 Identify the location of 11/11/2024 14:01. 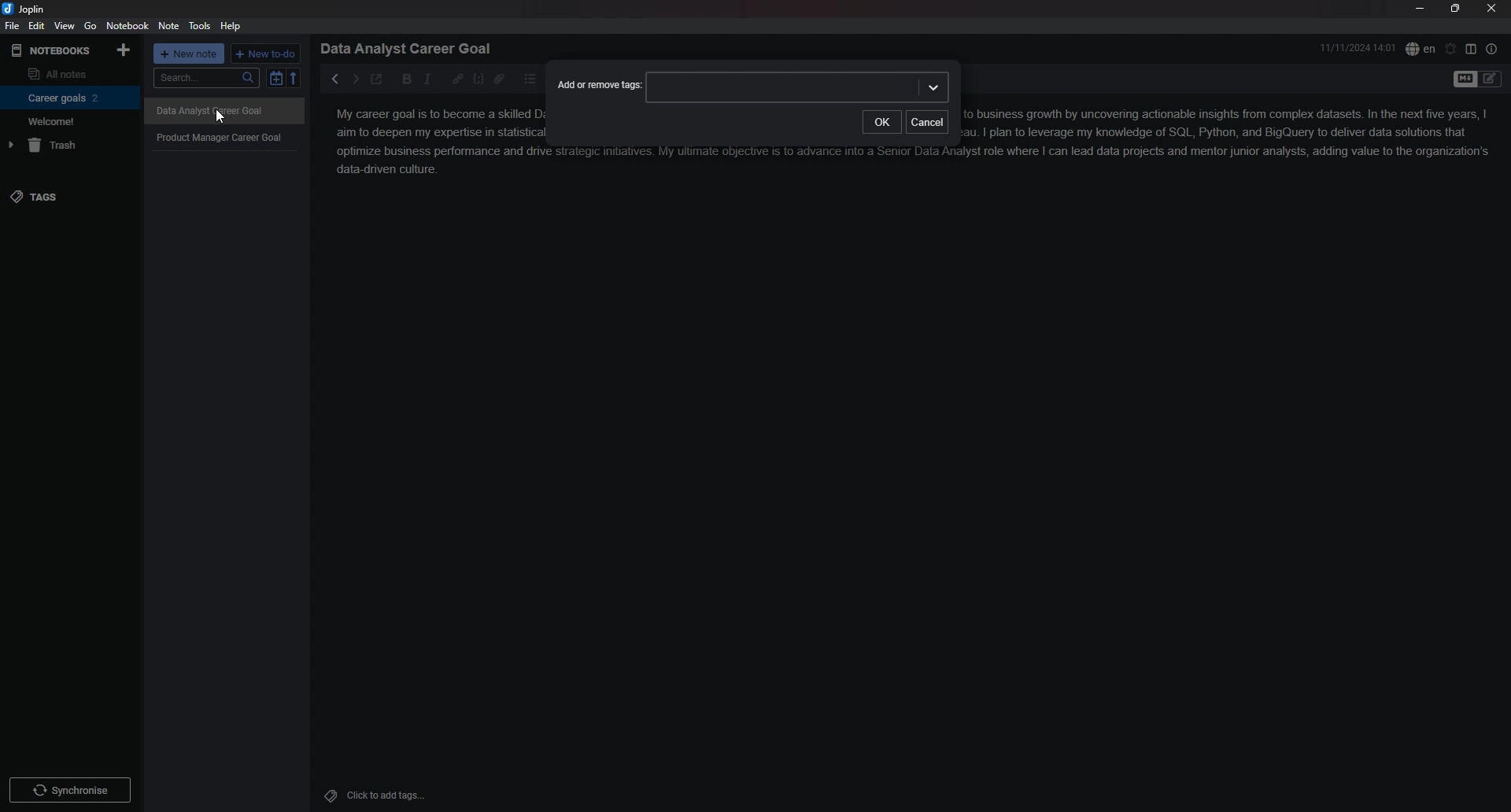
(1358, 47).